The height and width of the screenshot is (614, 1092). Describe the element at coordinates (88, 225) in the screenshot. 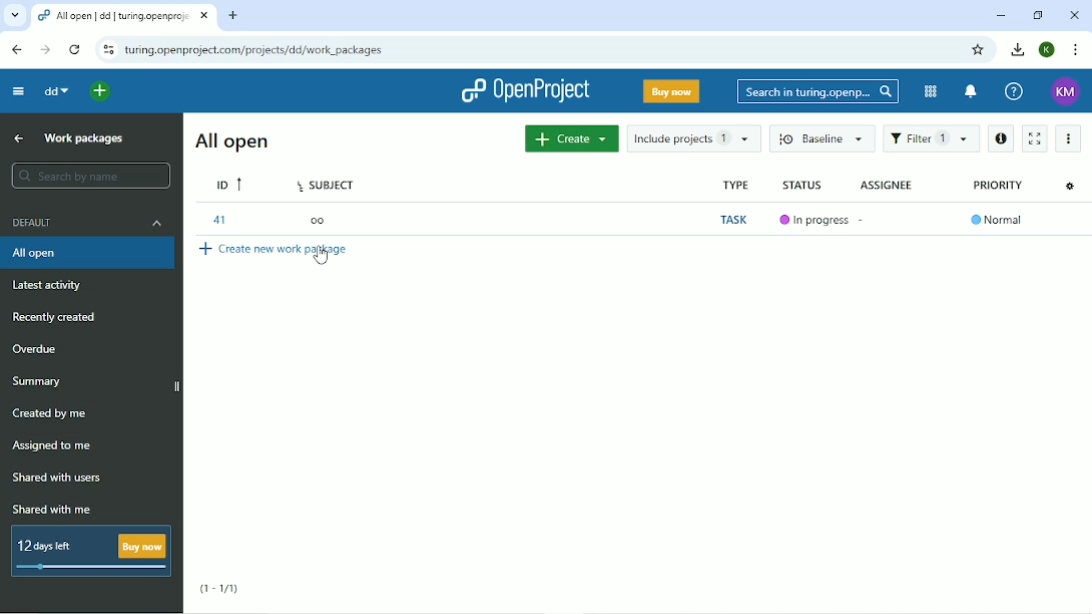

I see `Default` at that location.